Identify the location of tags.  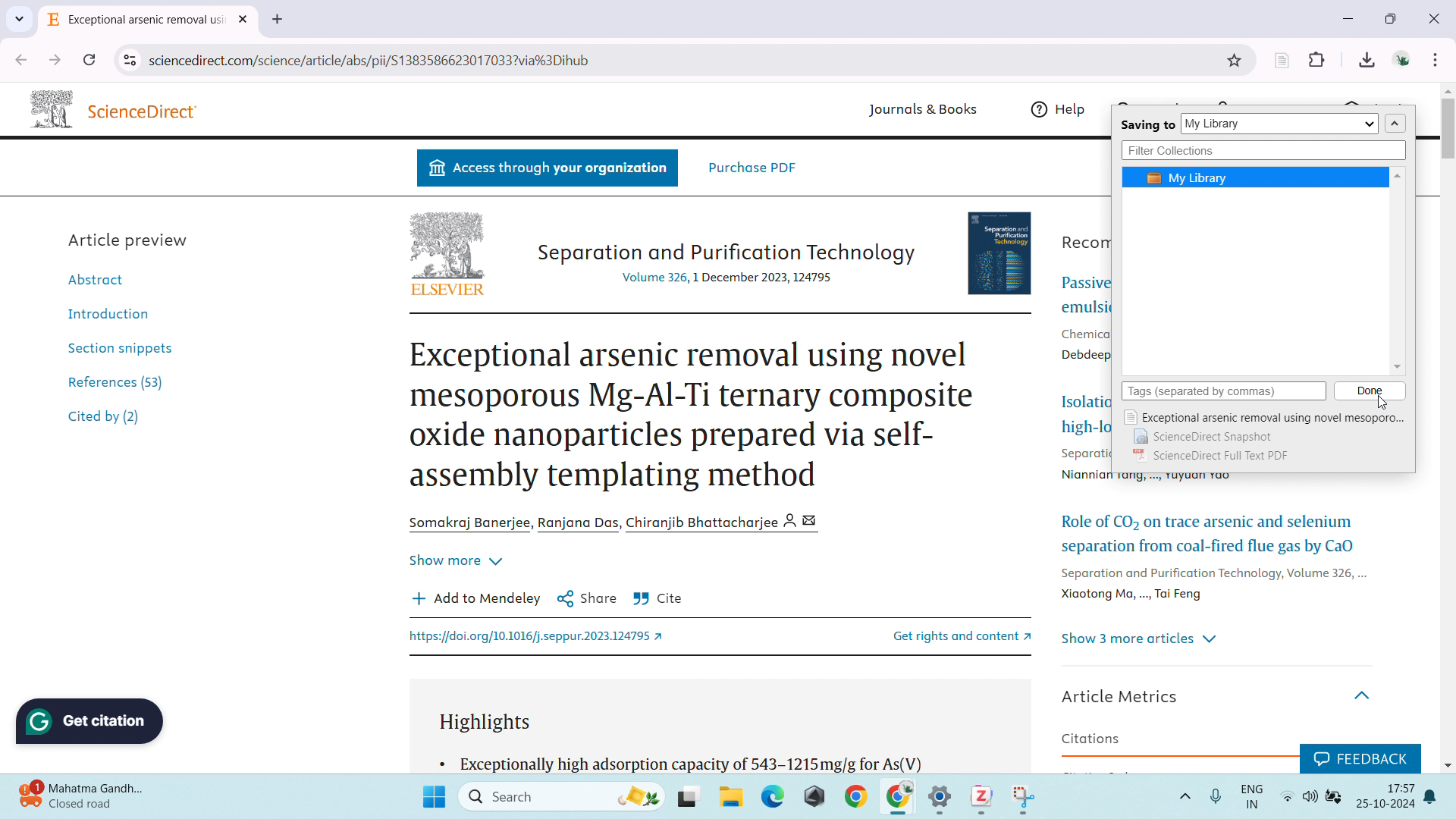
(1224, 391).